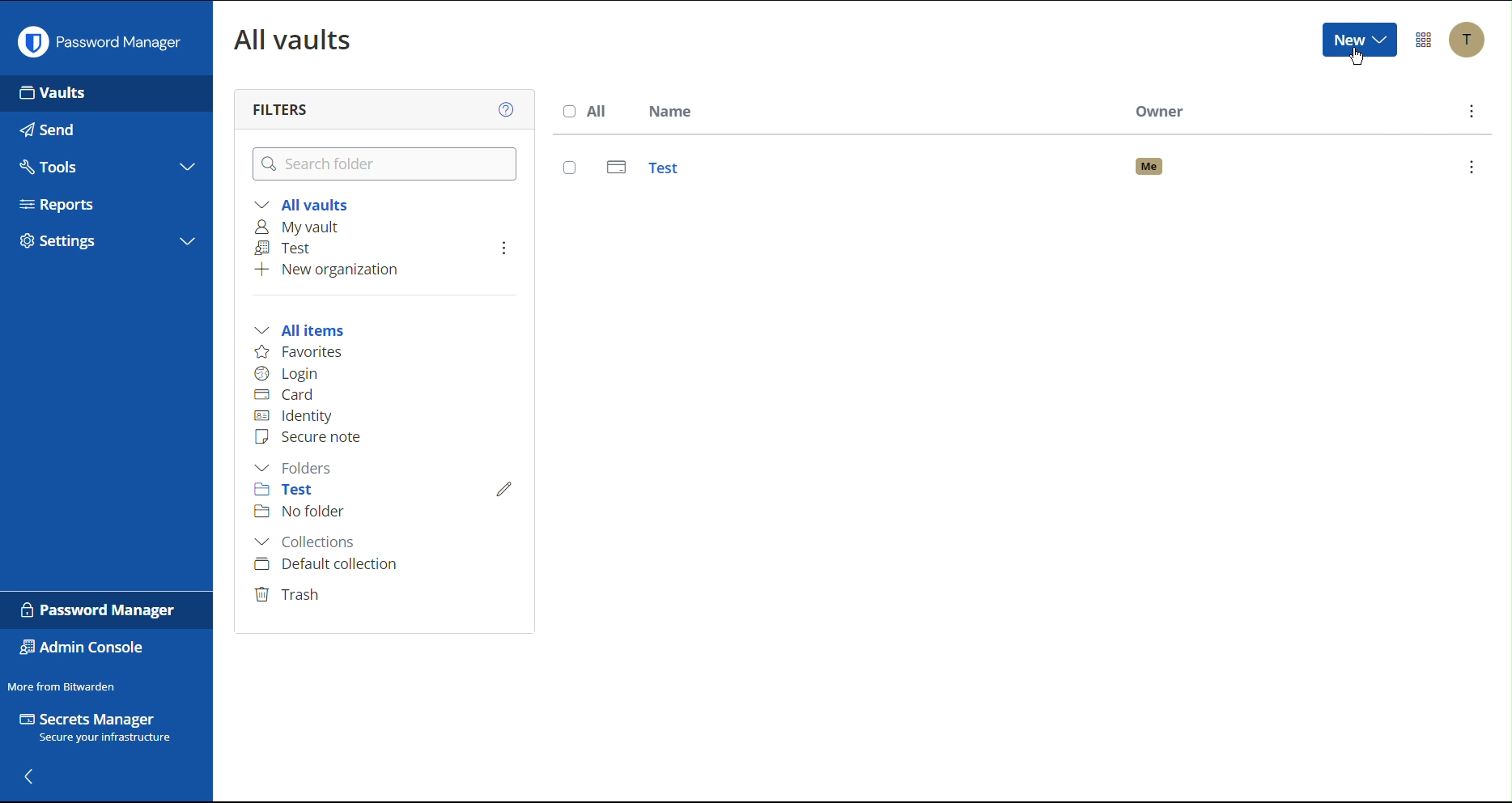 Image resolution: width=1512 pixels, height=803 pixels. Describe the element at coordinates (104, 202) in the screenshot. I see `Reports` at that location.